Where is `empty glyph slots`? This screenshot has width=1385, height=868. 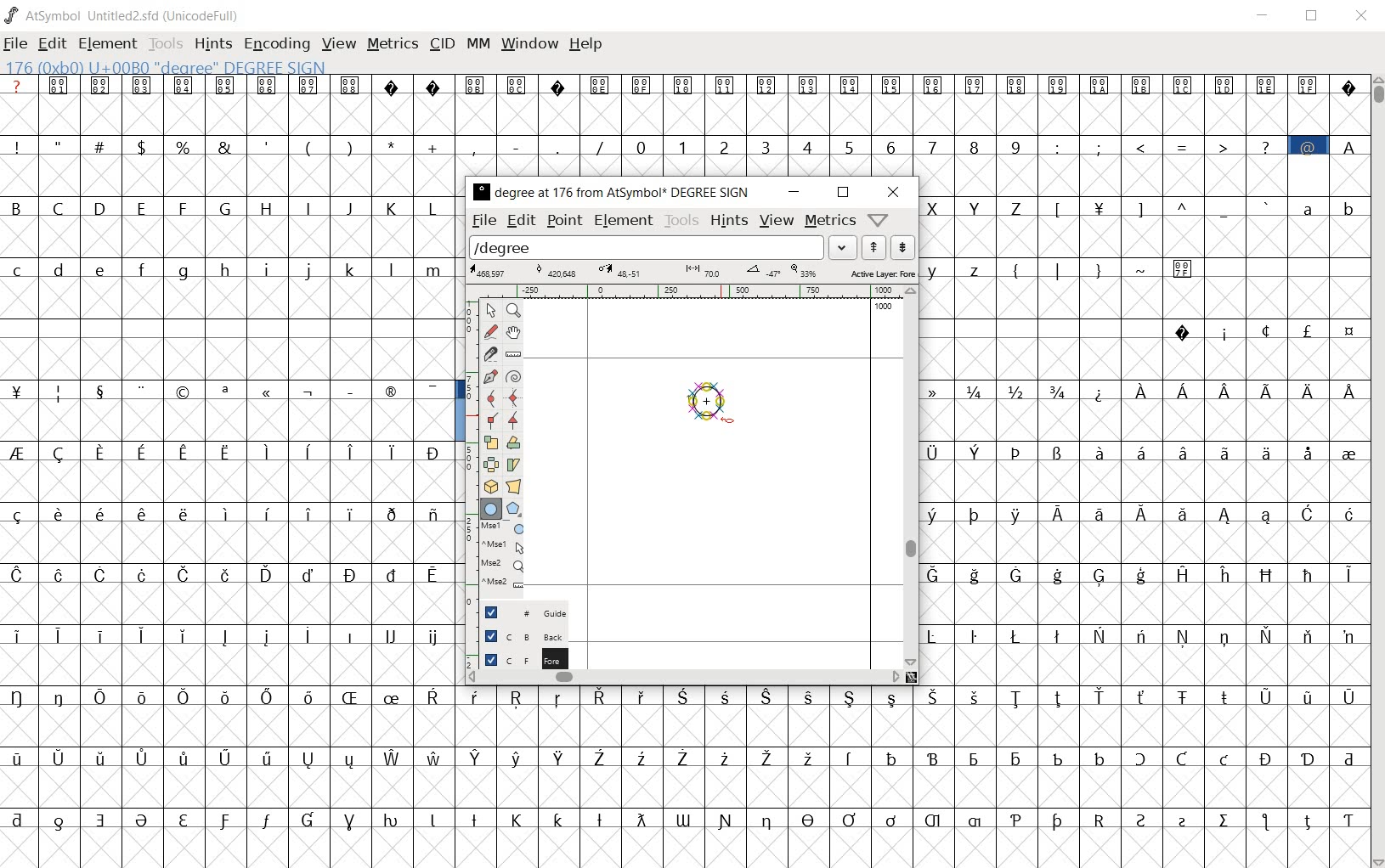 empty glyph slots is located at coordinates (1144, 358).